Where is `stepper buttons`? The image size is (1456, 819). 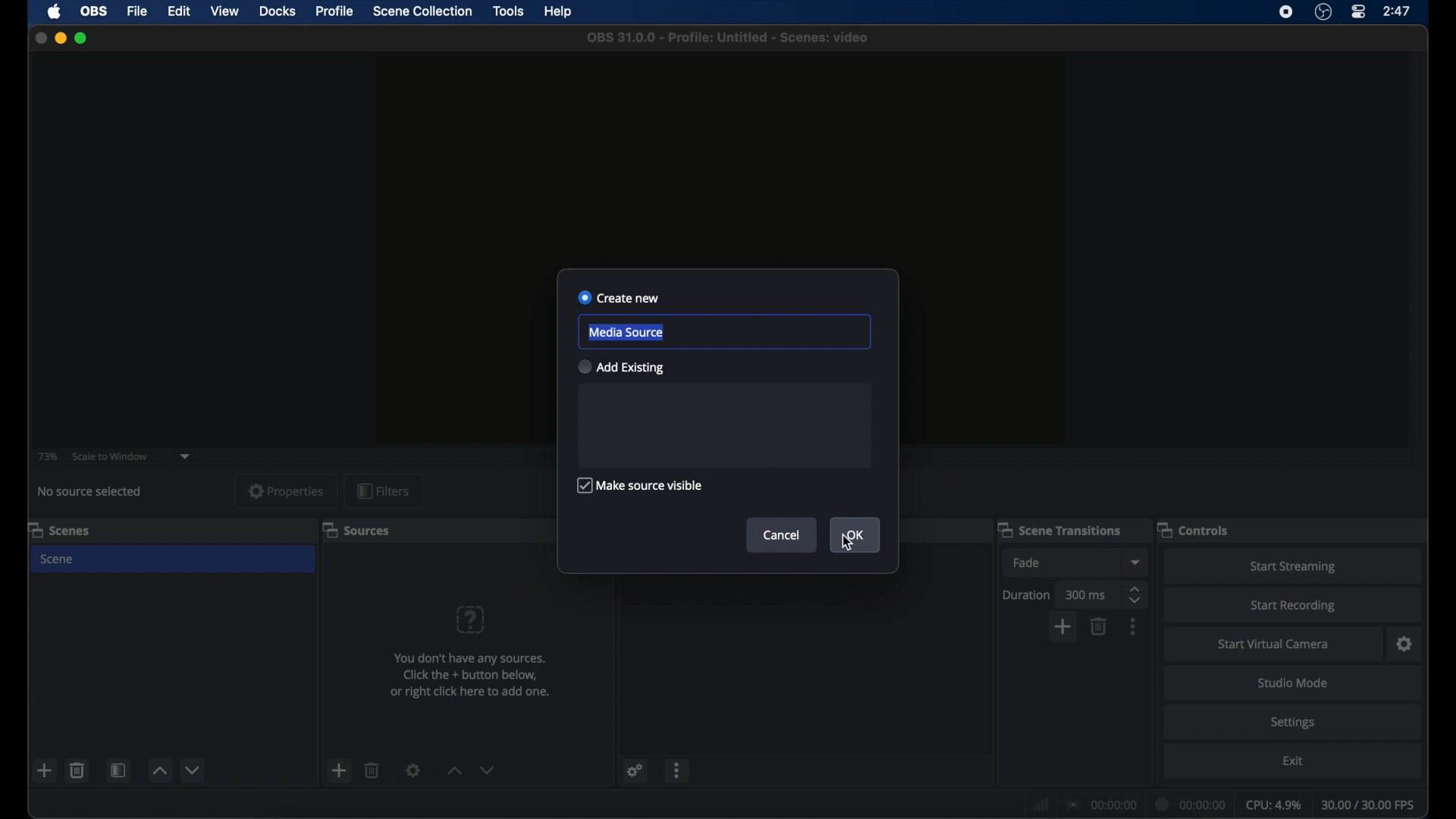 stepper buttons is located at coordinates (1137, 595).